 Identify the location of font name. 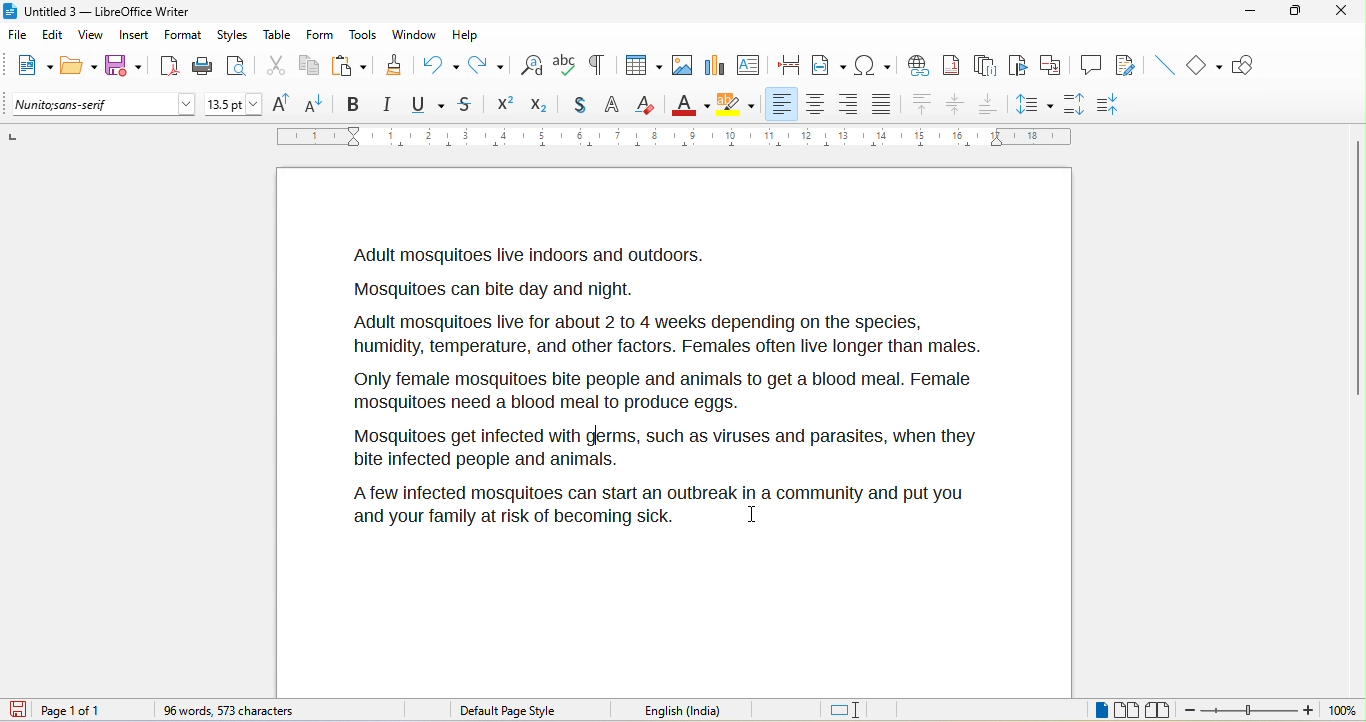
(103, 105).